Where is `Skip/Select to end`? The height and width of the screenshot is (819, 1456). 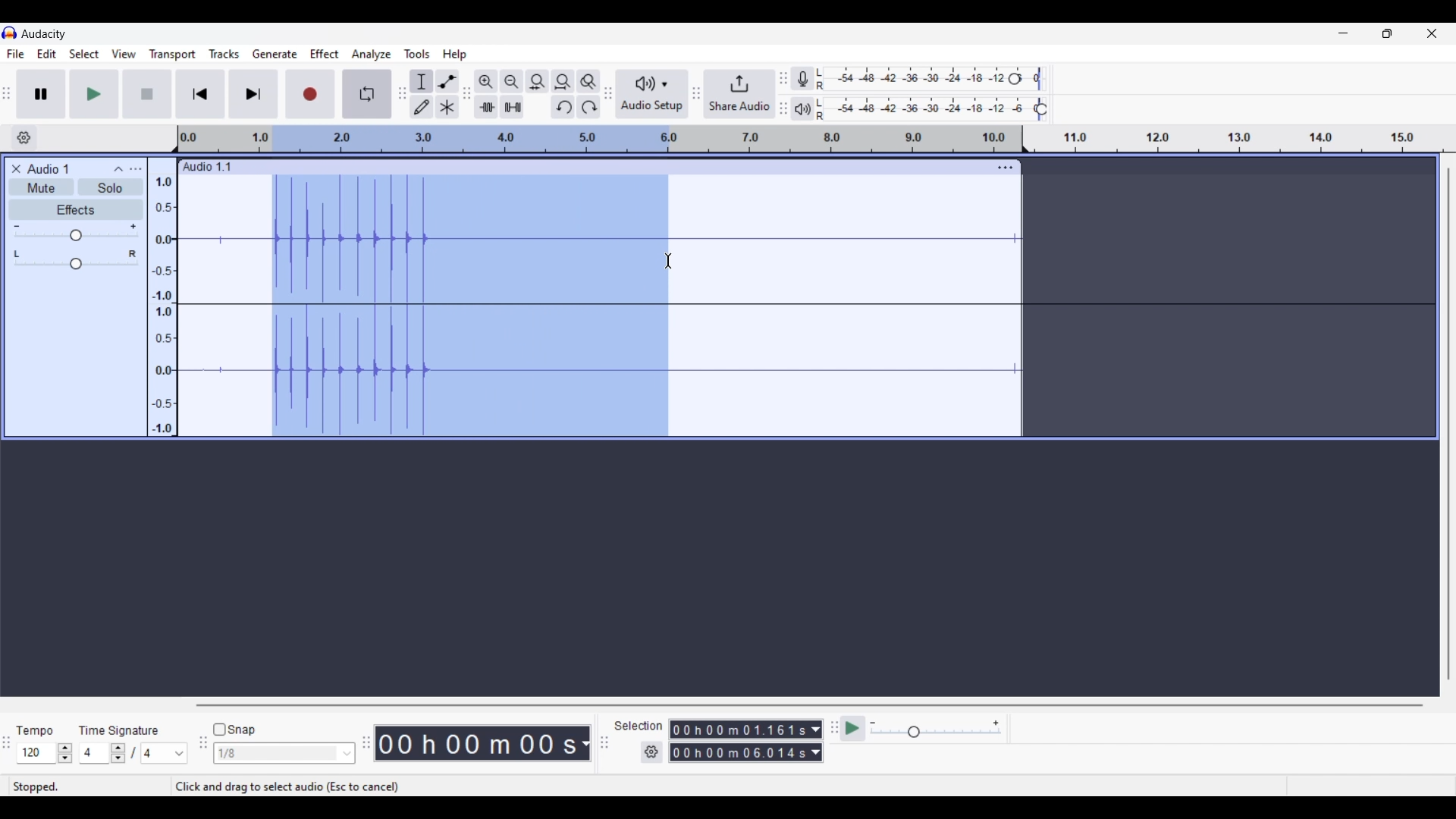
Skip/Select to end is located at coordinates (253, 93).